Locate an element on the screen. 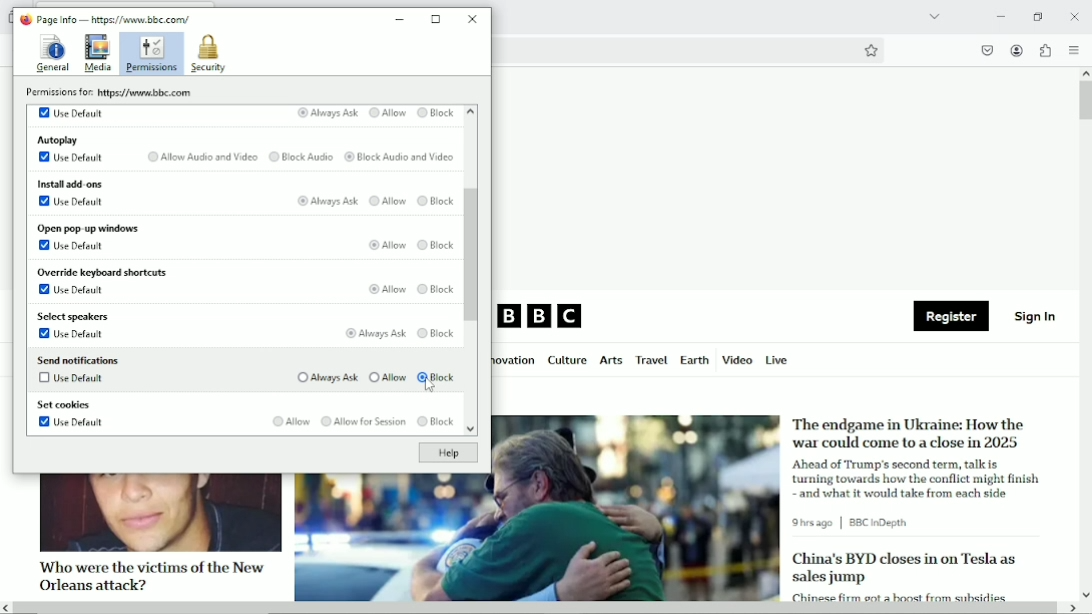  Block is located at coordinates (437, 245).